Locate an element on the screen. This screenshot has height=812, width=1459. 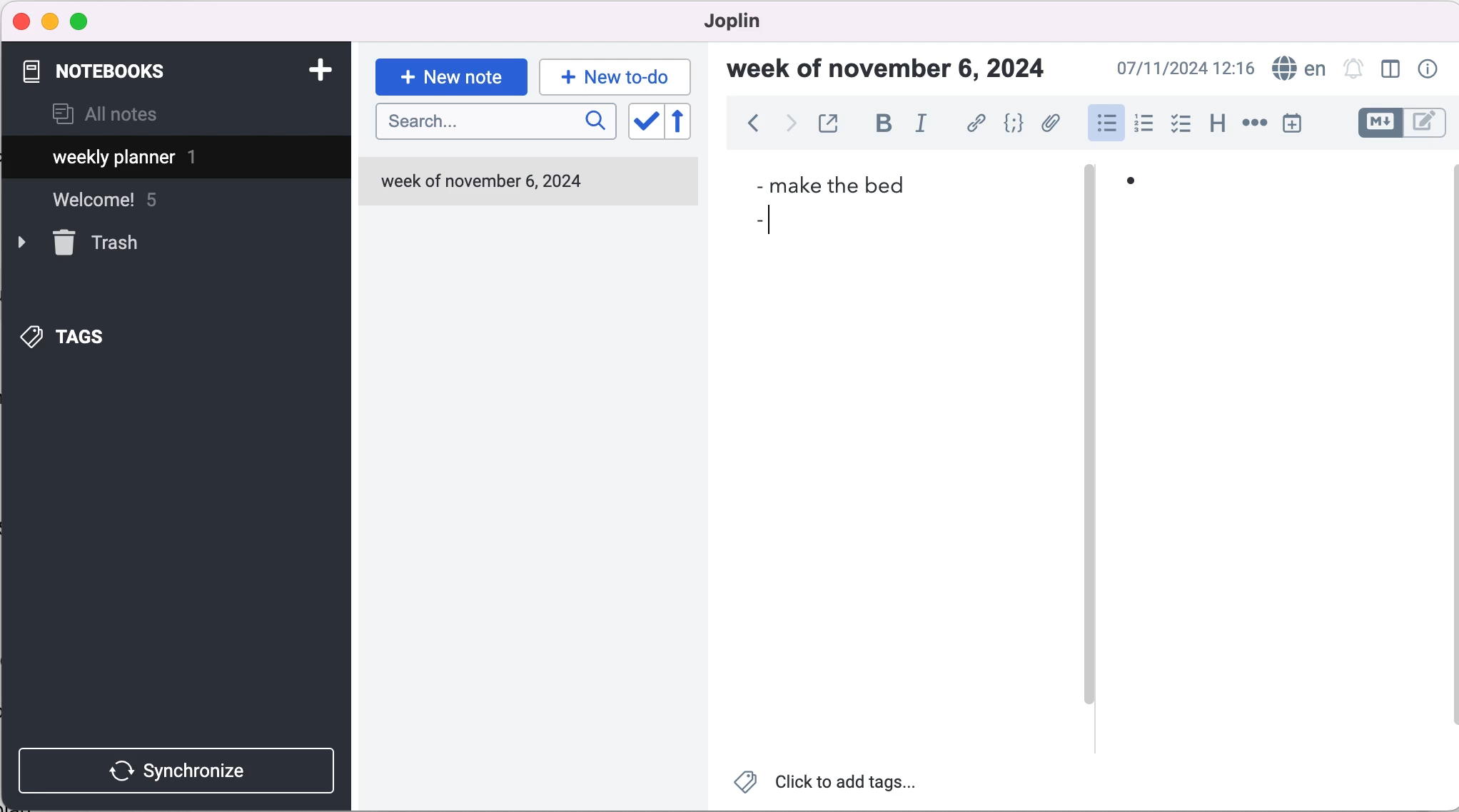
set alarm is located at coordinates (1354, 71).